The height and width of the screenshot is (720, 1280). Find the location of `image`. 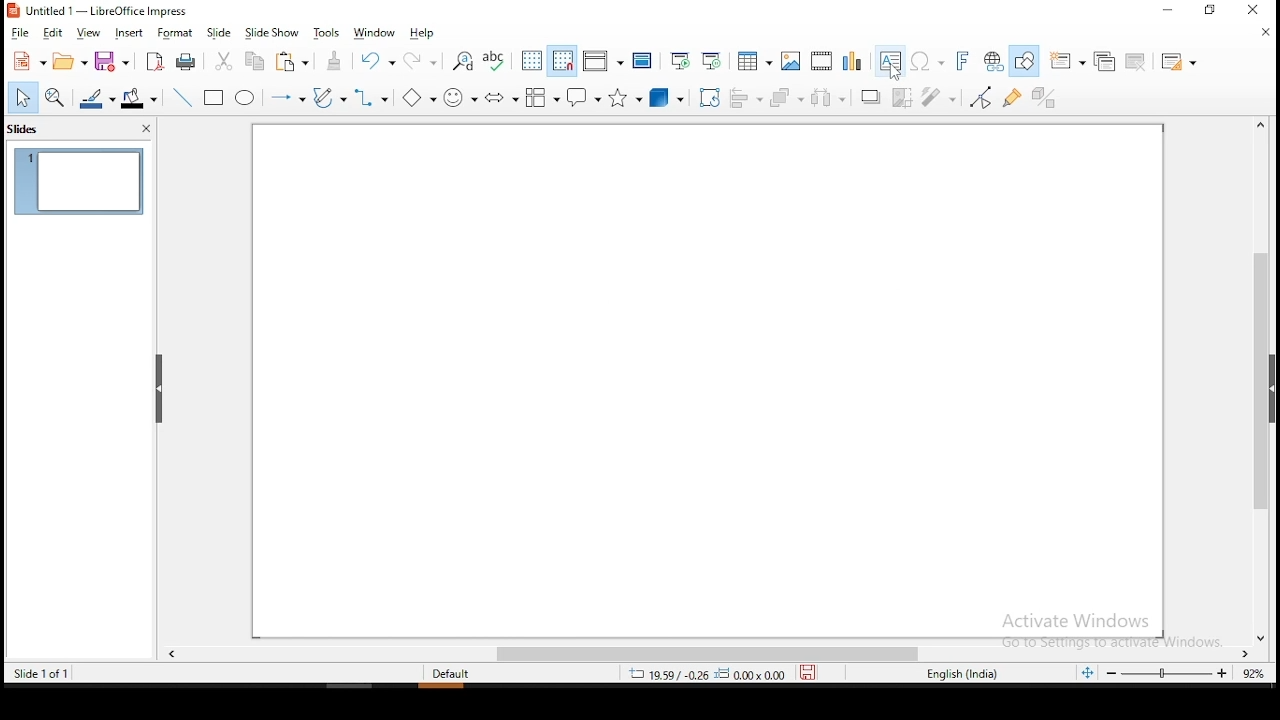

image is located at coordinates (790, 60).